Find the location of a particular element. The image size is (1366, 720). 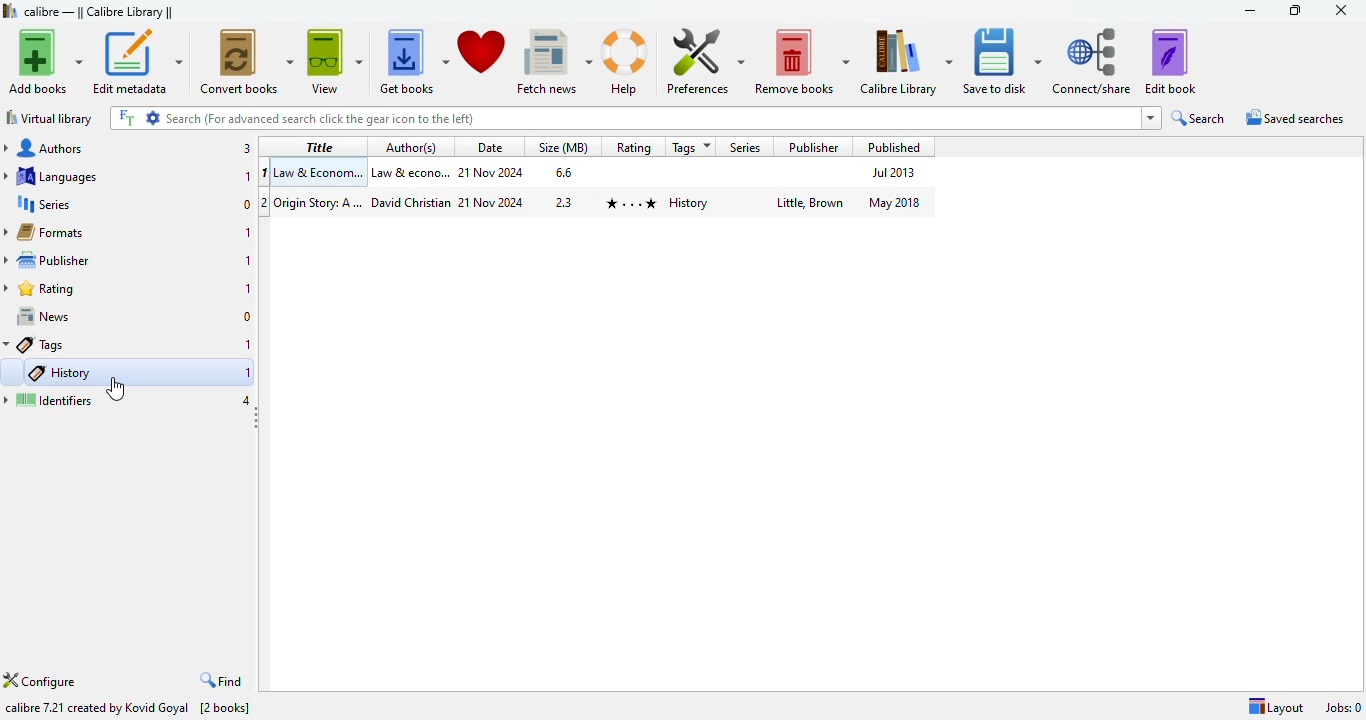

connect/share is located at coordinates (1093, 60).